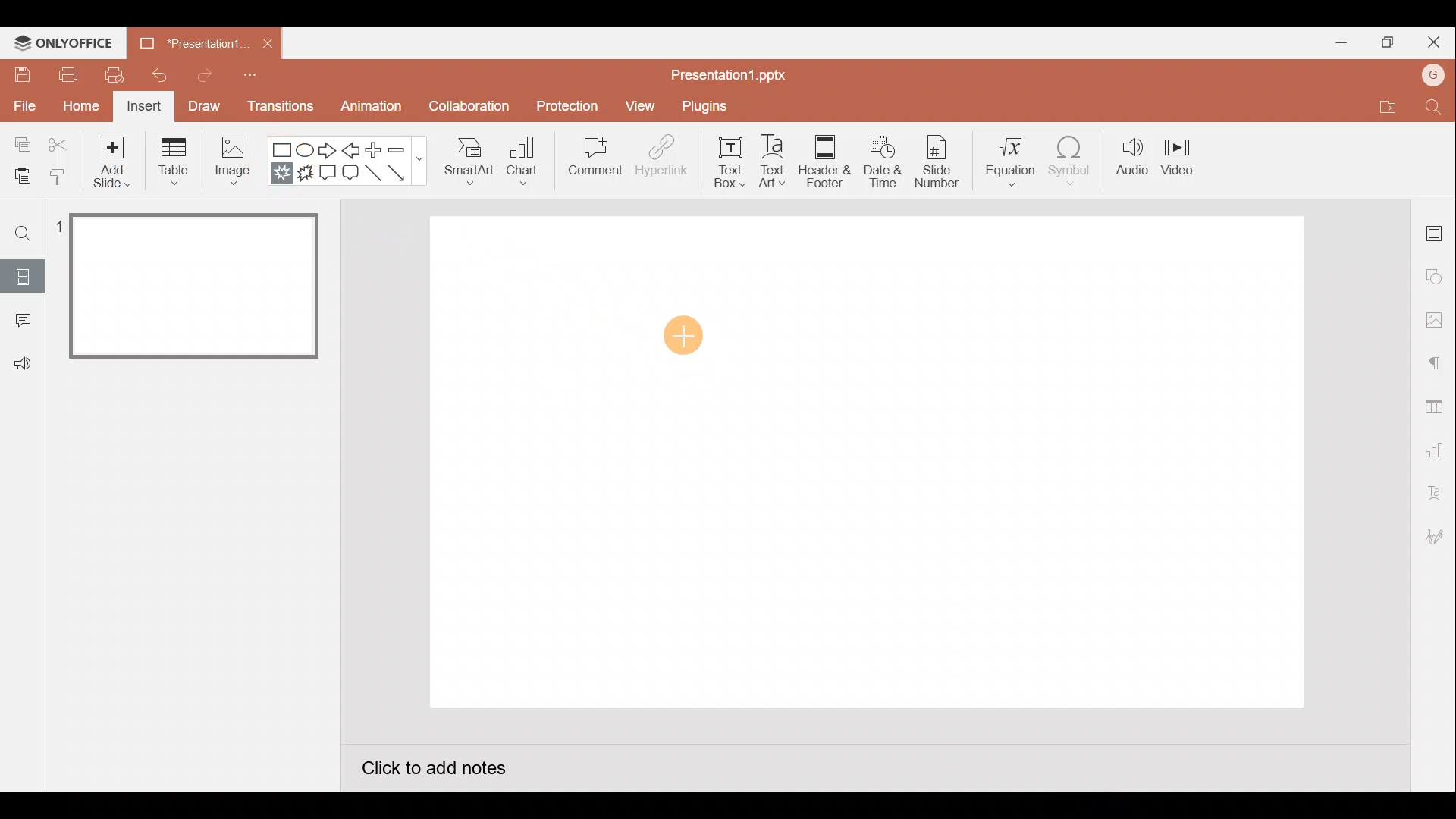 Image resolution: width=1456 pixels, height=819 pixels. What do you see at coordinates (308, 151) in the screenshot?
I see `Ellipse` at bounding box center [308, 151].